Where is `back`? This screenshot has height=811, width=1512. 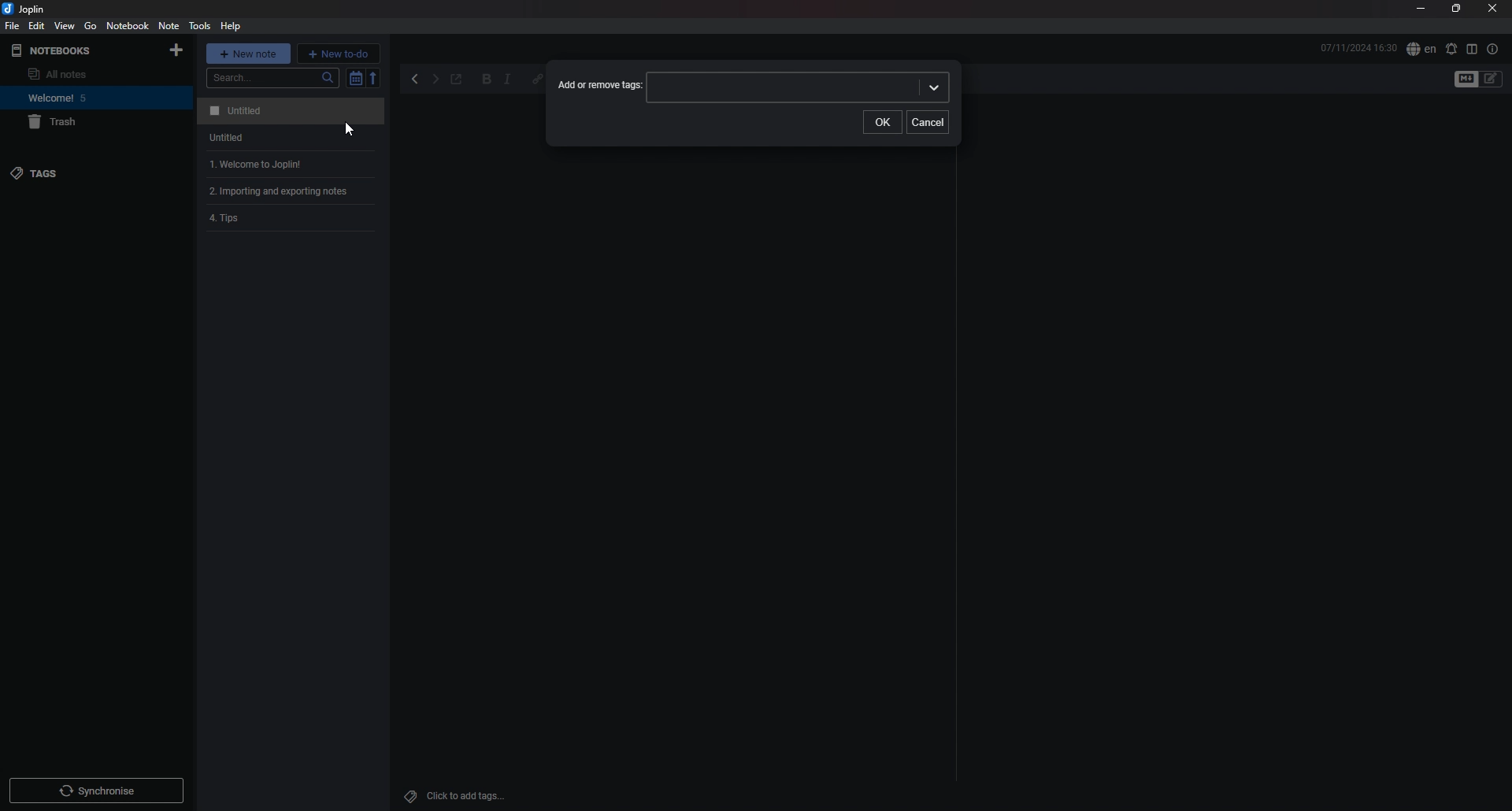 back is located at coordinates (417, 80).